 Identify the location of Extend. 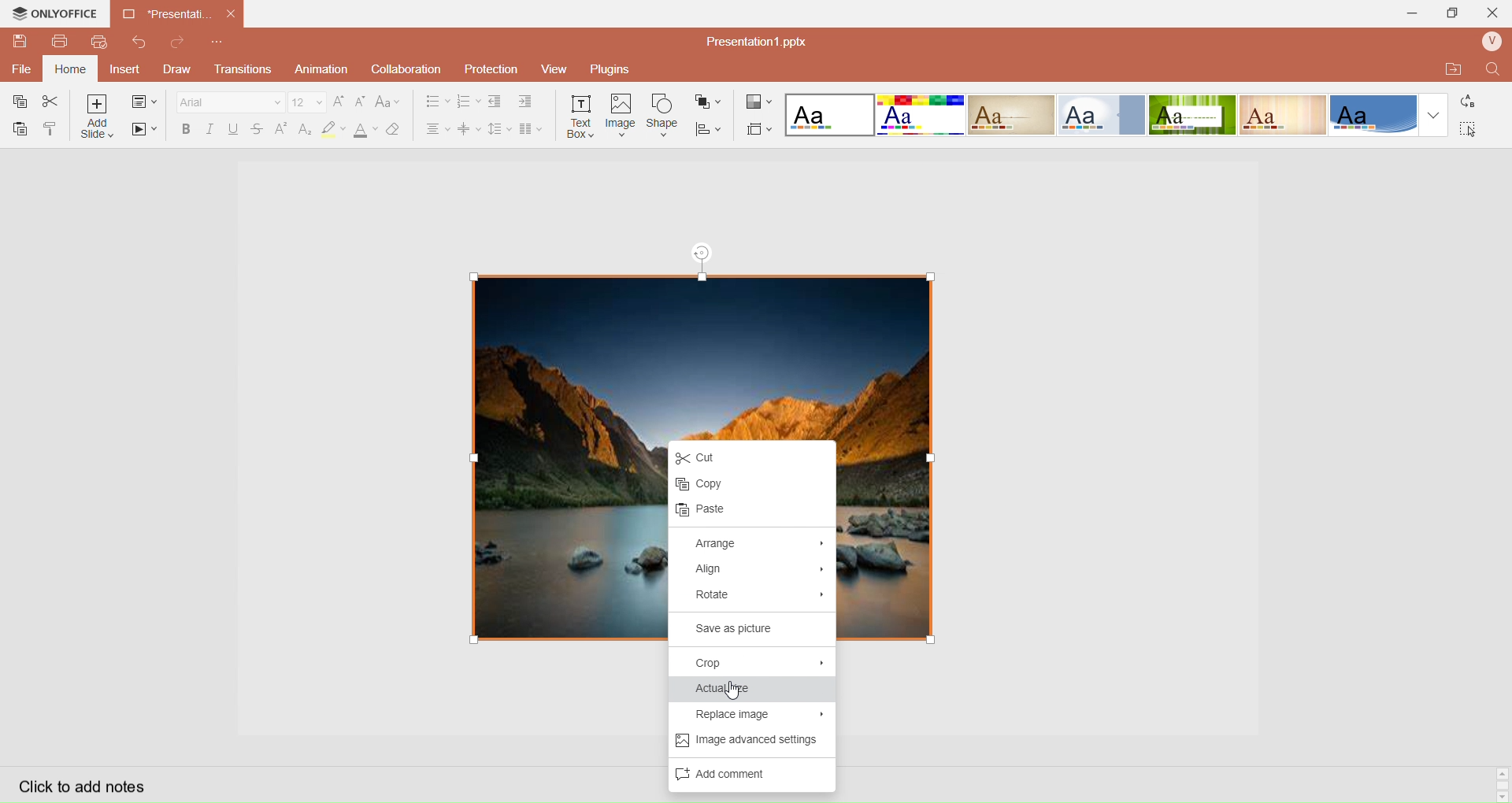
(1460, 12).